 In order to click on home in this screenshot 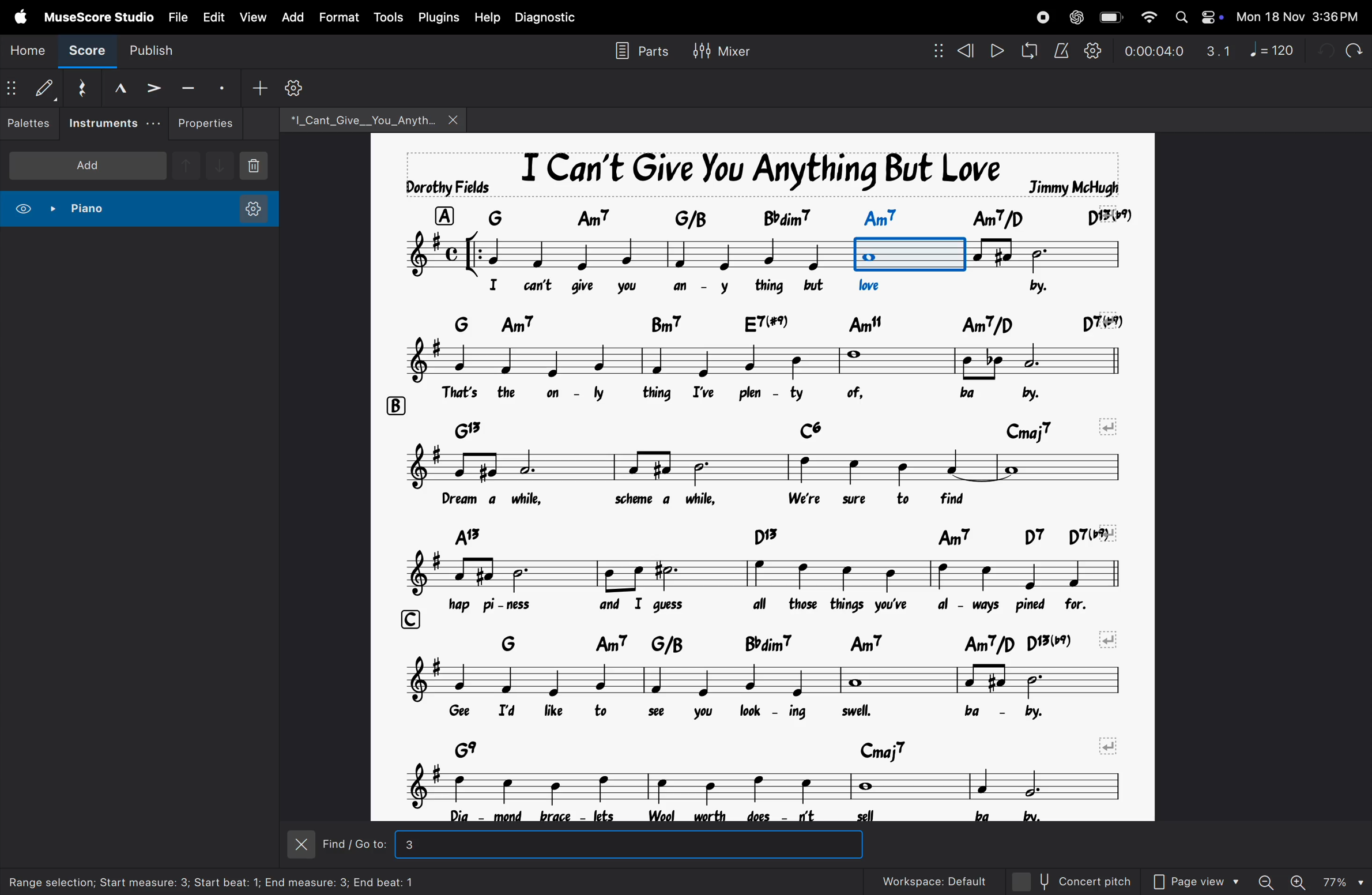, I will do `click(25, 49)`.